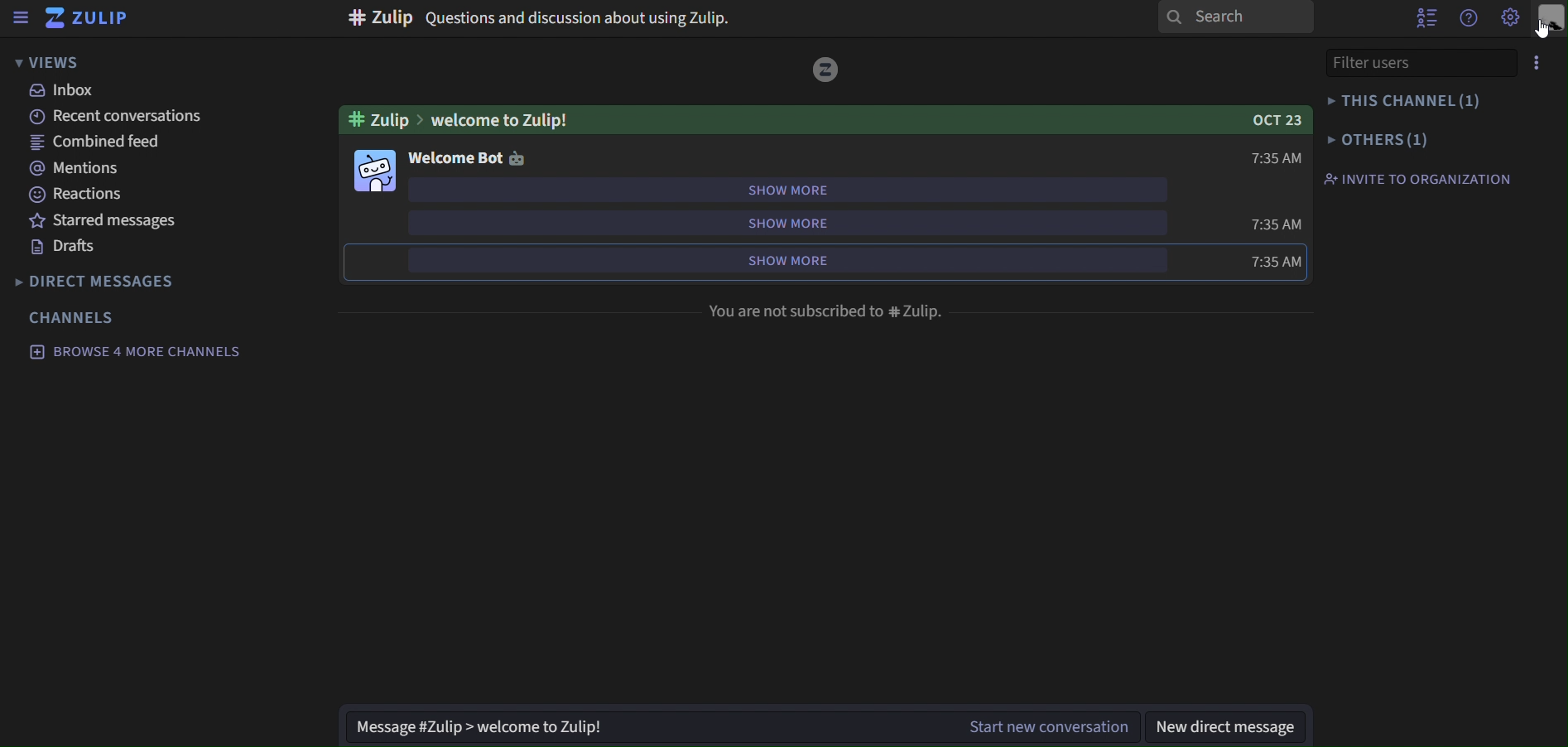  Describe the element at coordinates (455, 160) in the screenshot. I see `welcome bot` at that location.